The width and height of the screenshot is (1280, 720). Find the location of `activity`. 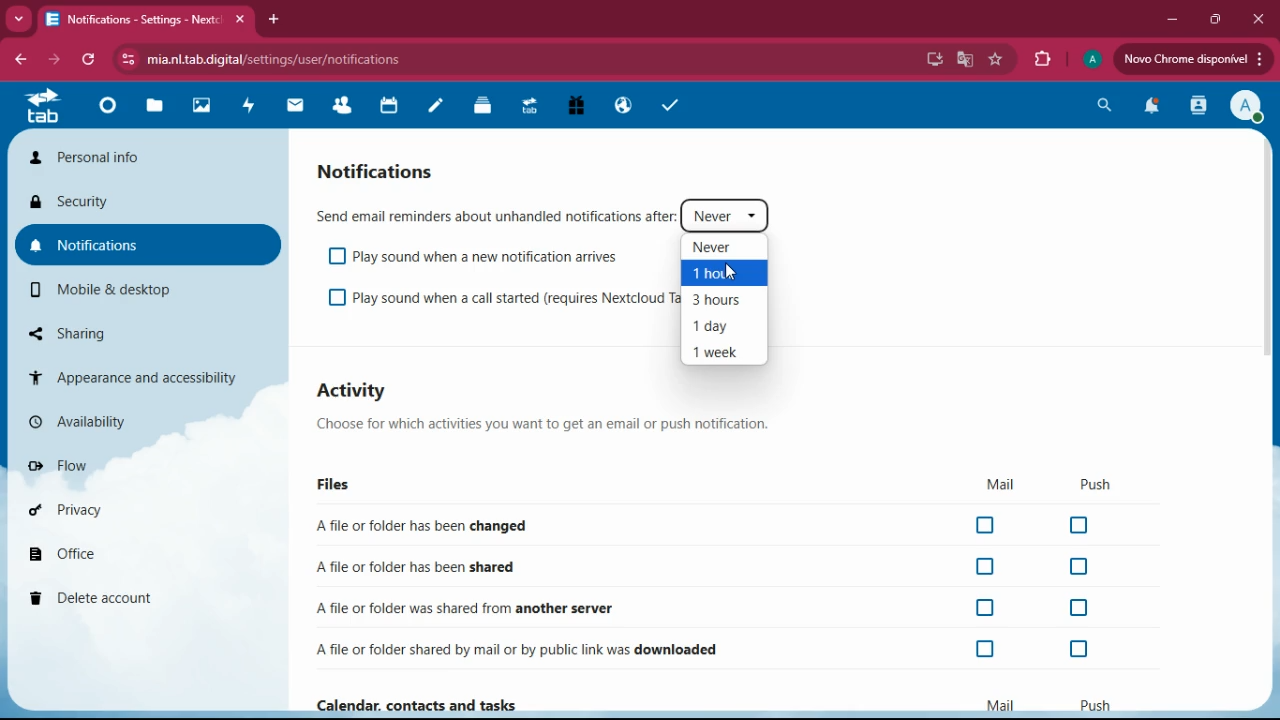

activity is located at coordinates (1195, 106).